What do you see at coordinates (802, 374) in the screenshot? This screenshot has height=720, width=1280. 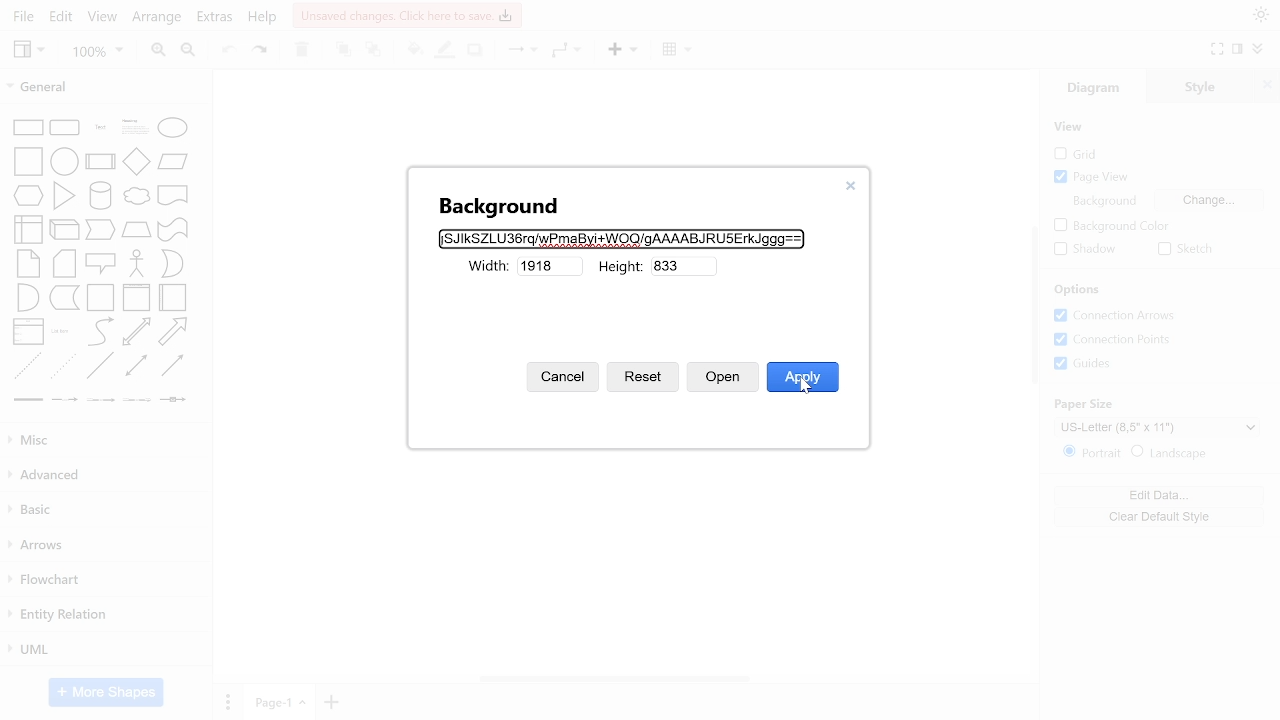 I see `apply` at bounding box center [802, 374].